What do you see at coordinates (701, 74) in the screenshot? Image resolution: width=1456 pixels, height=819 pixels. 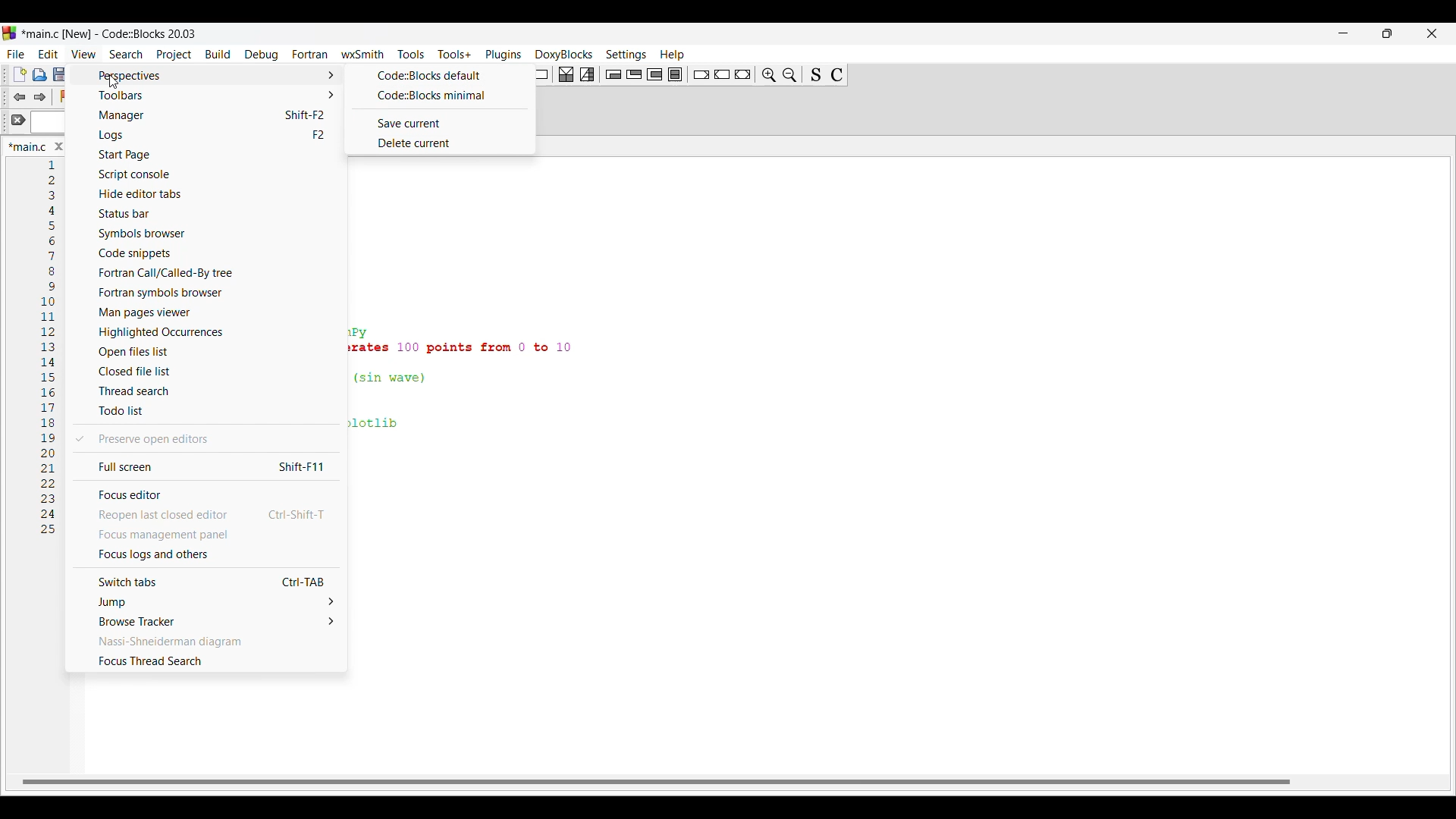 I see `Break instruction` at bounding box center [701, 74].